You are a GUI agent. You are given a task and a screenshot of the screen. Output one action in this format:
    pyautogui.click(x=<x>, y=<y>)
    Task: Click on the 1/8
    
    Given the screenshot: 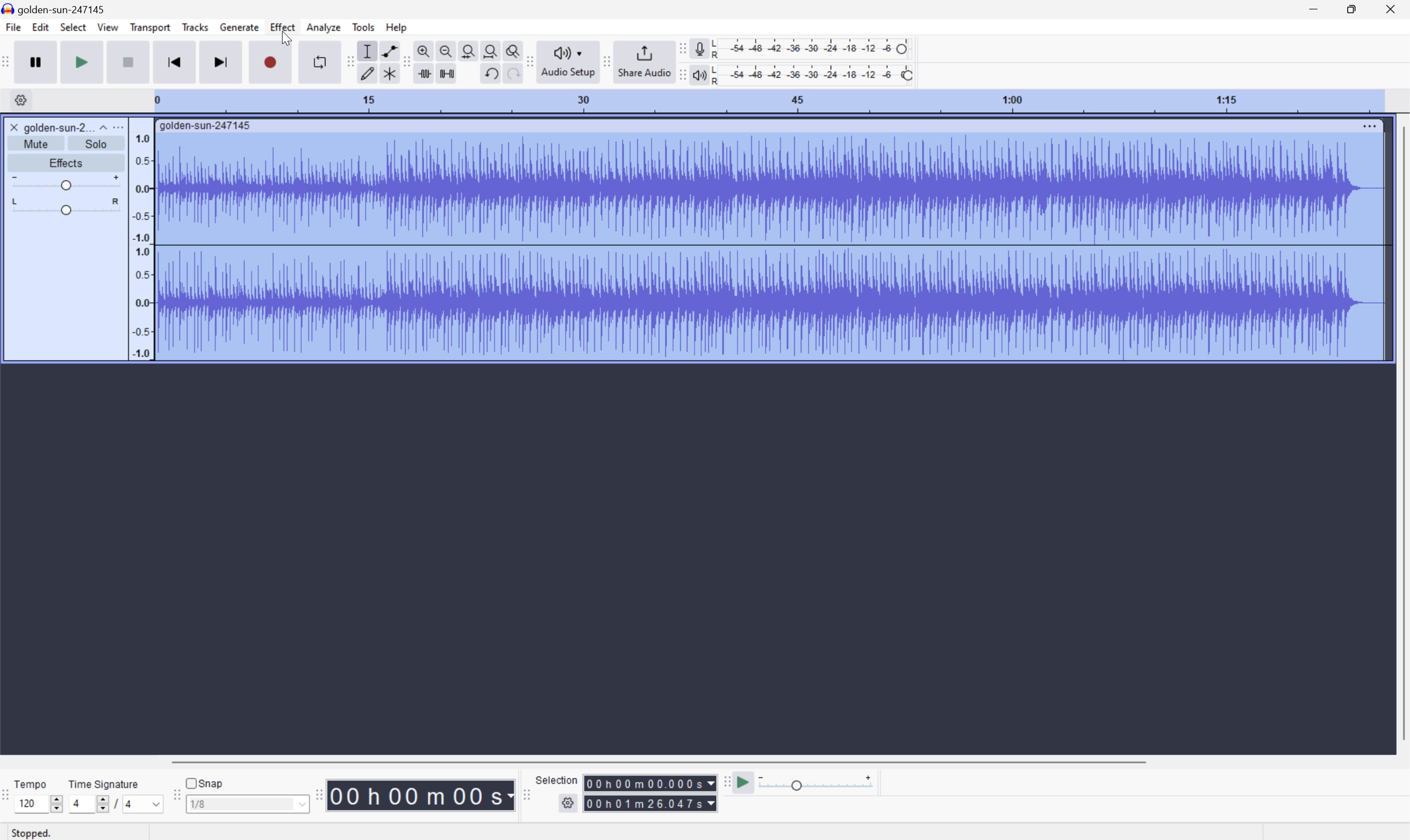 What is the action you would take?
    pyautogui.click(x=246, y=804)
    